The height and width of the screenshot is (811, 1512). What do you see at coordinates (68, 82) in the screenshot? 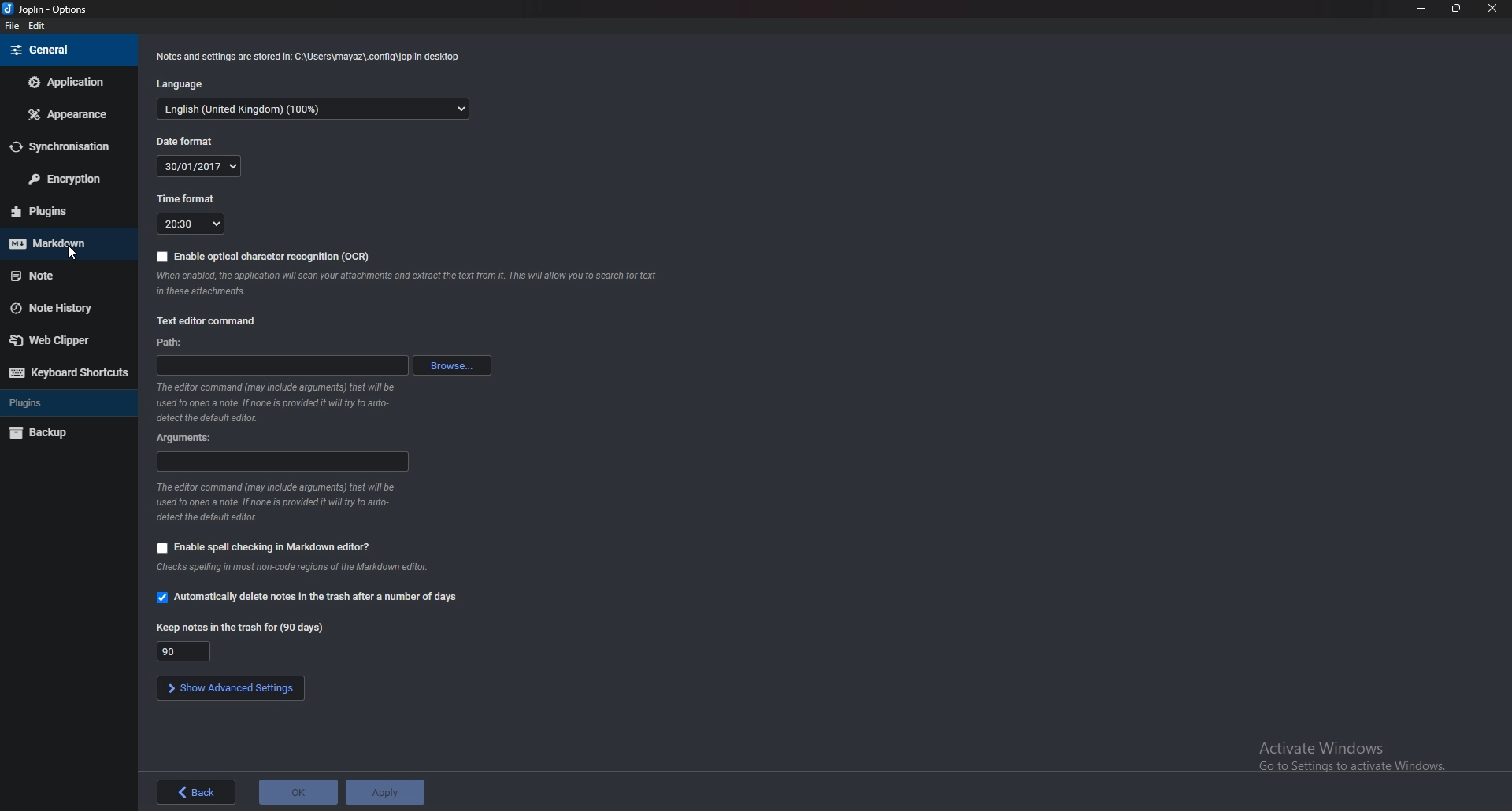
I see `Application` at bounding box center [68, 82].